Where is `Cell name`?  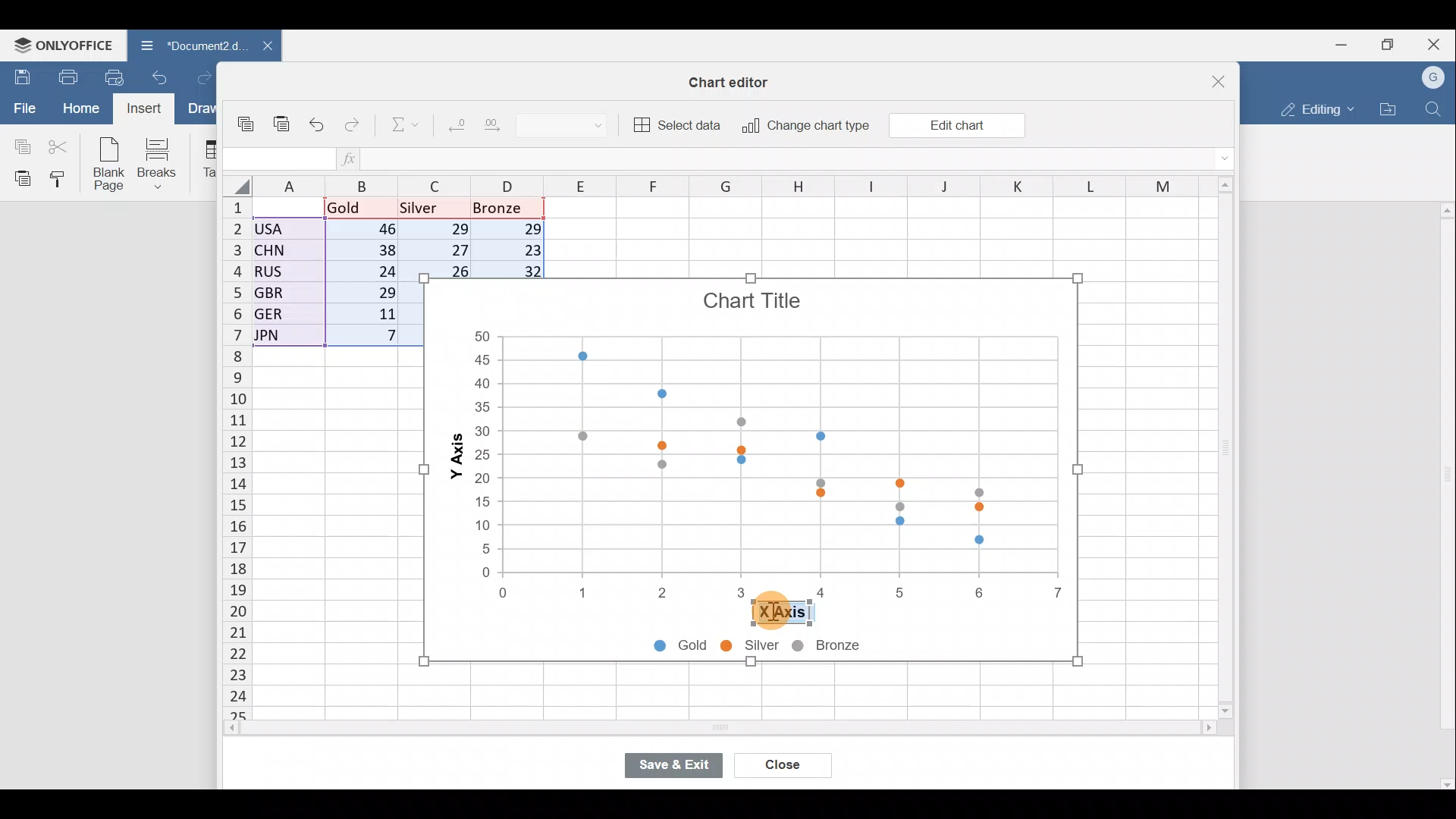 Cell name is located at coordinates (279, 155).